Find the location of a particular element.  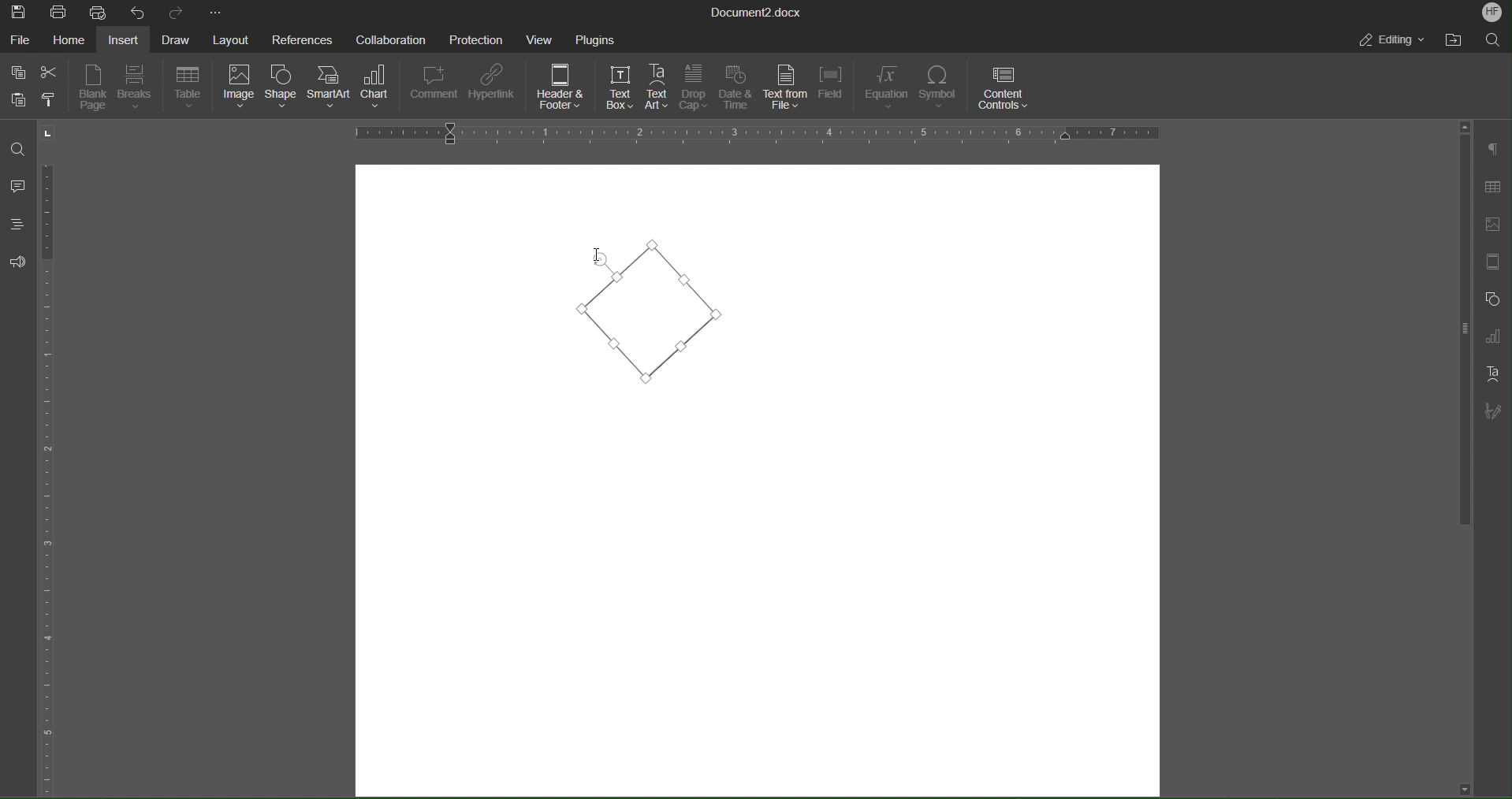

Protection is located at coordinates (477, 38).